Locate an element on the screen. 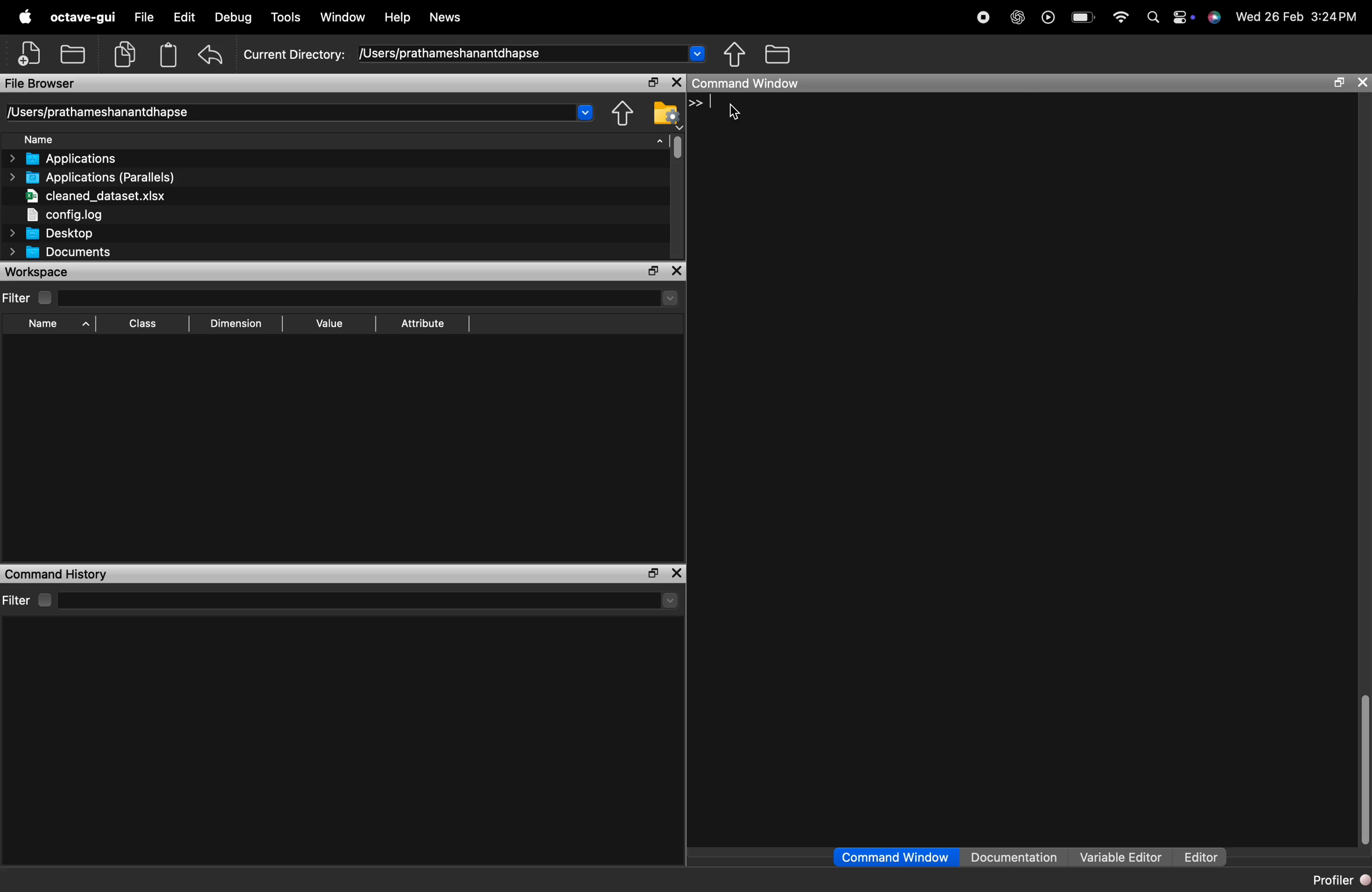 This screenshot has width=1372, height=892. Attribute is located at coordinates (423, 324).